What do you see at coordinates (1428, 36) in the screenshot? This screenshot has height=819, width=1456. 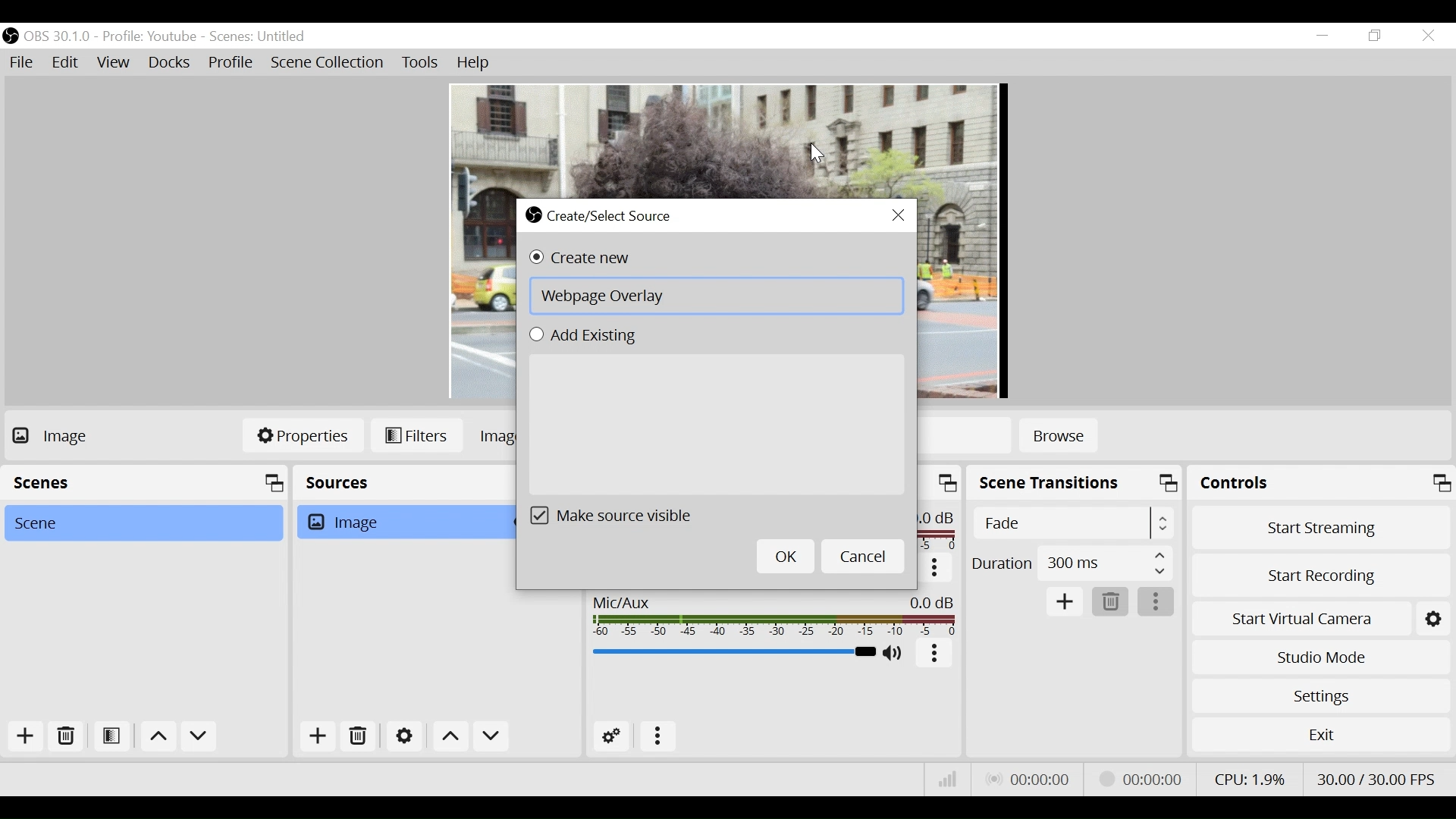 I see `Close` at bounding box center [1428, 36].